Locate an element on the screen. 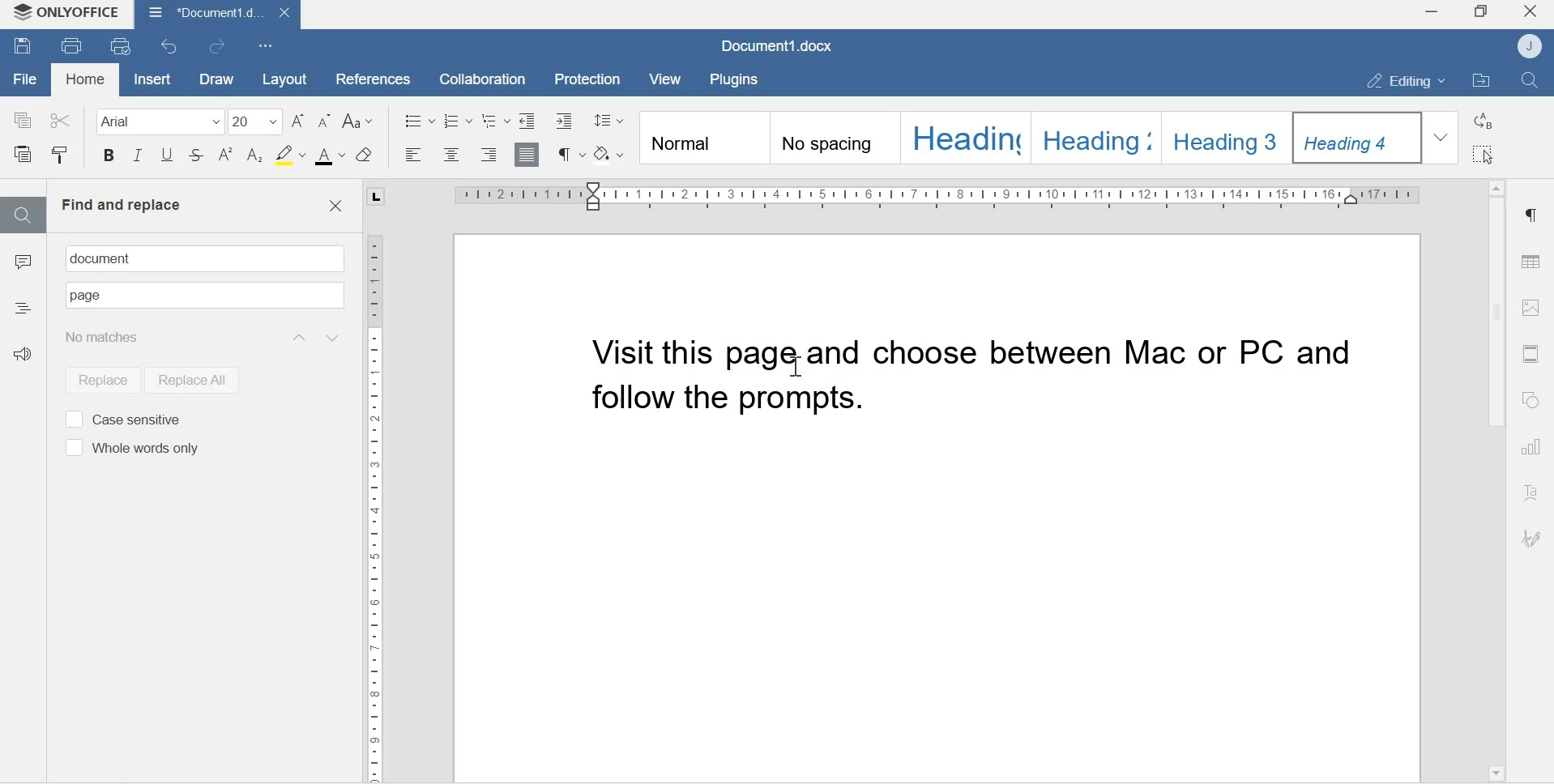 The image size is (1554, 784). Visit this is located at coordinates (655, 352).